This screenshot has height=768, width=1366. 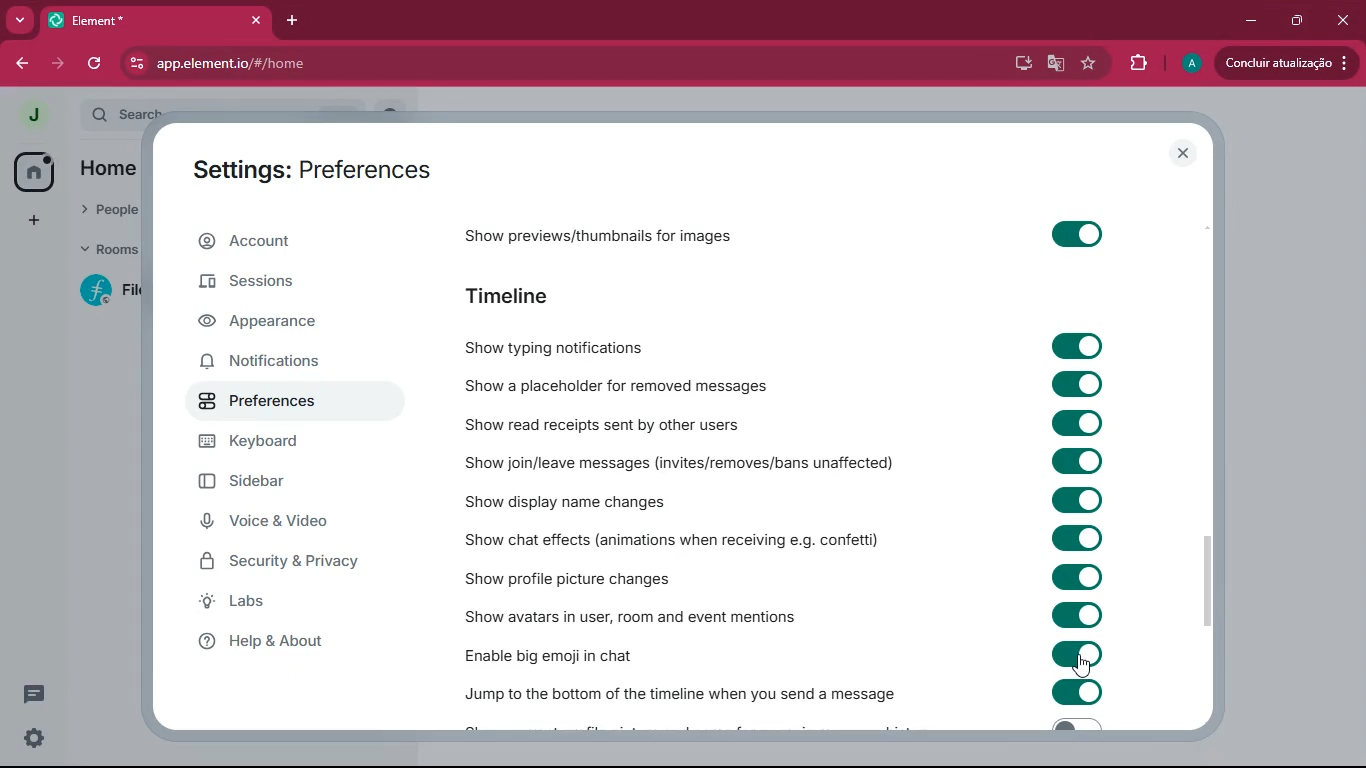 I want to click on toggle on , so click(x=1074, y=238).